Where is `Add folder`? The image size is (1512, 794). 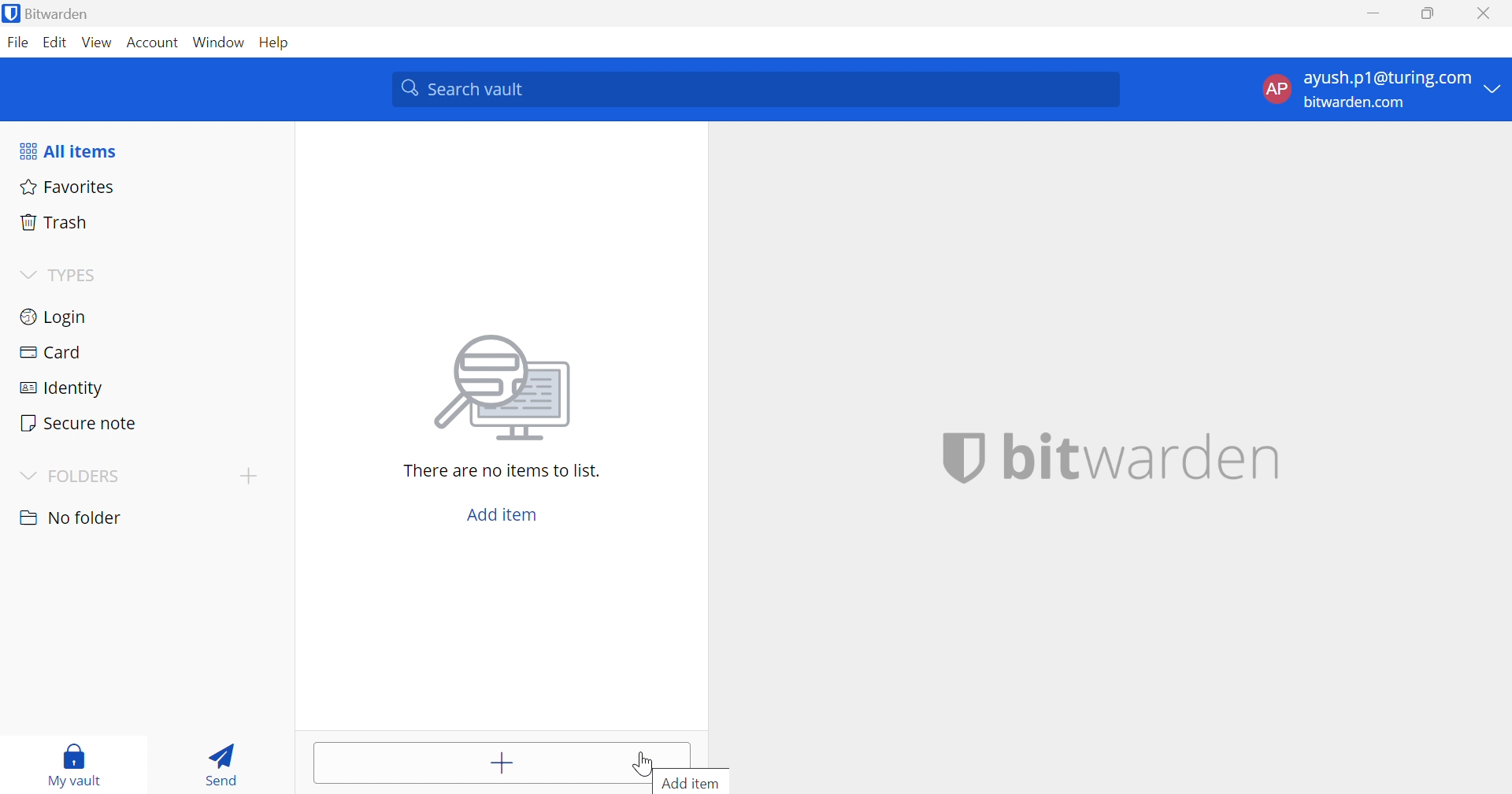
Add folder is located at coordinates (249, 477).